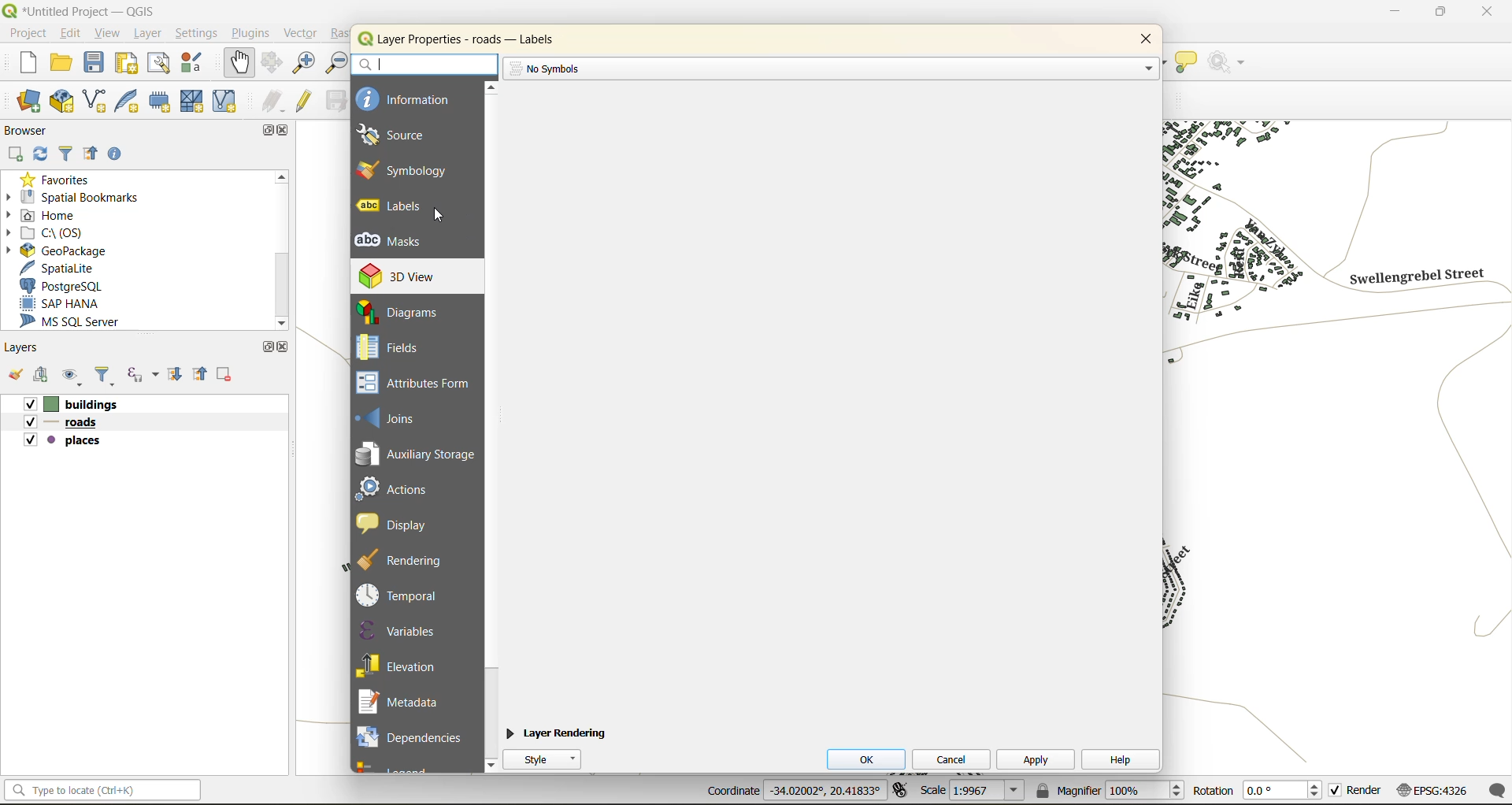 The height and width of the screenshot is (805, 1512). I want to click on c\:os, so click(57, 234).